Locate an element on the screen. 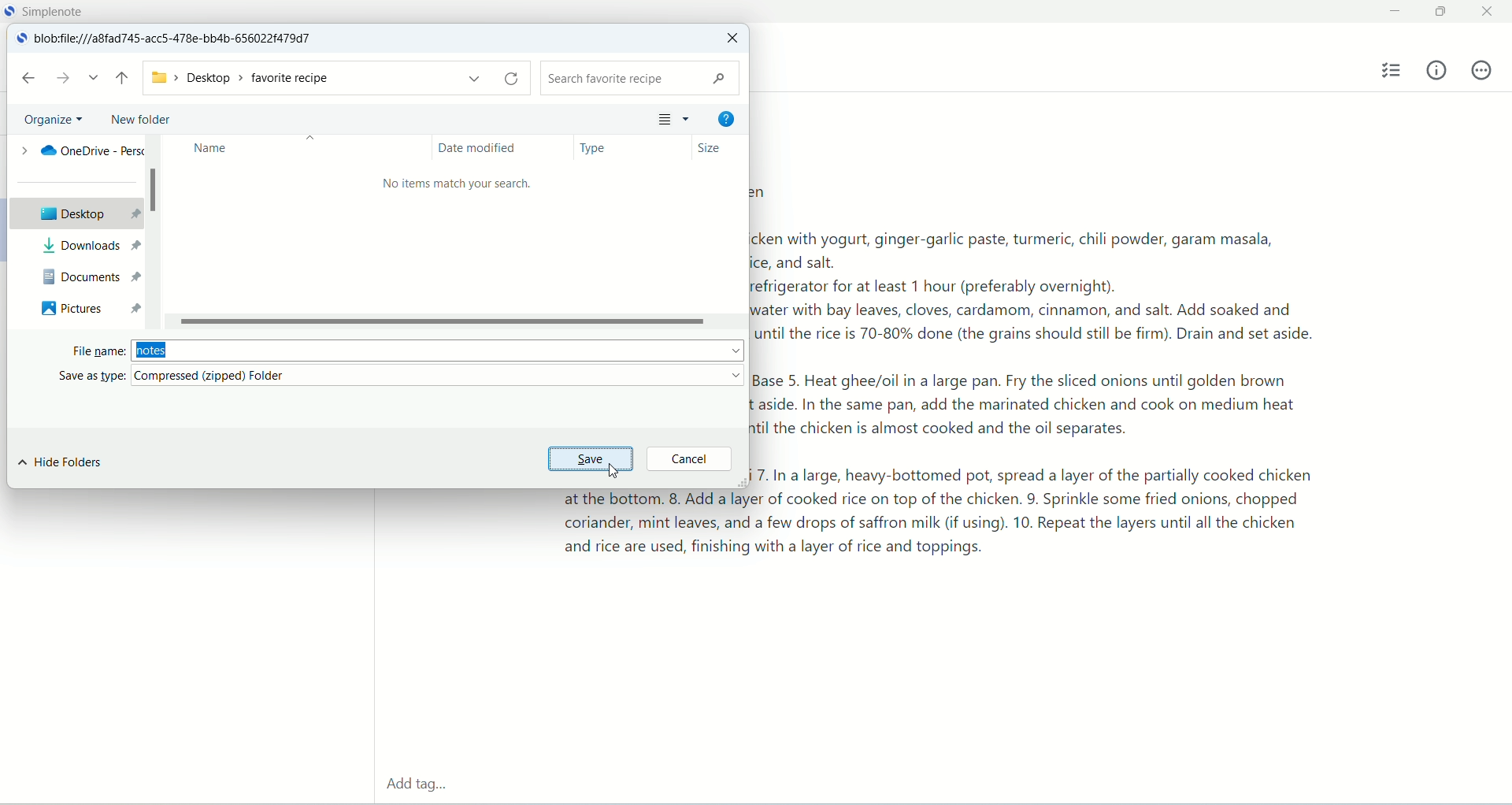 This screenshot has height=805, width=1512. date modified is located at coordinates (494, 148).